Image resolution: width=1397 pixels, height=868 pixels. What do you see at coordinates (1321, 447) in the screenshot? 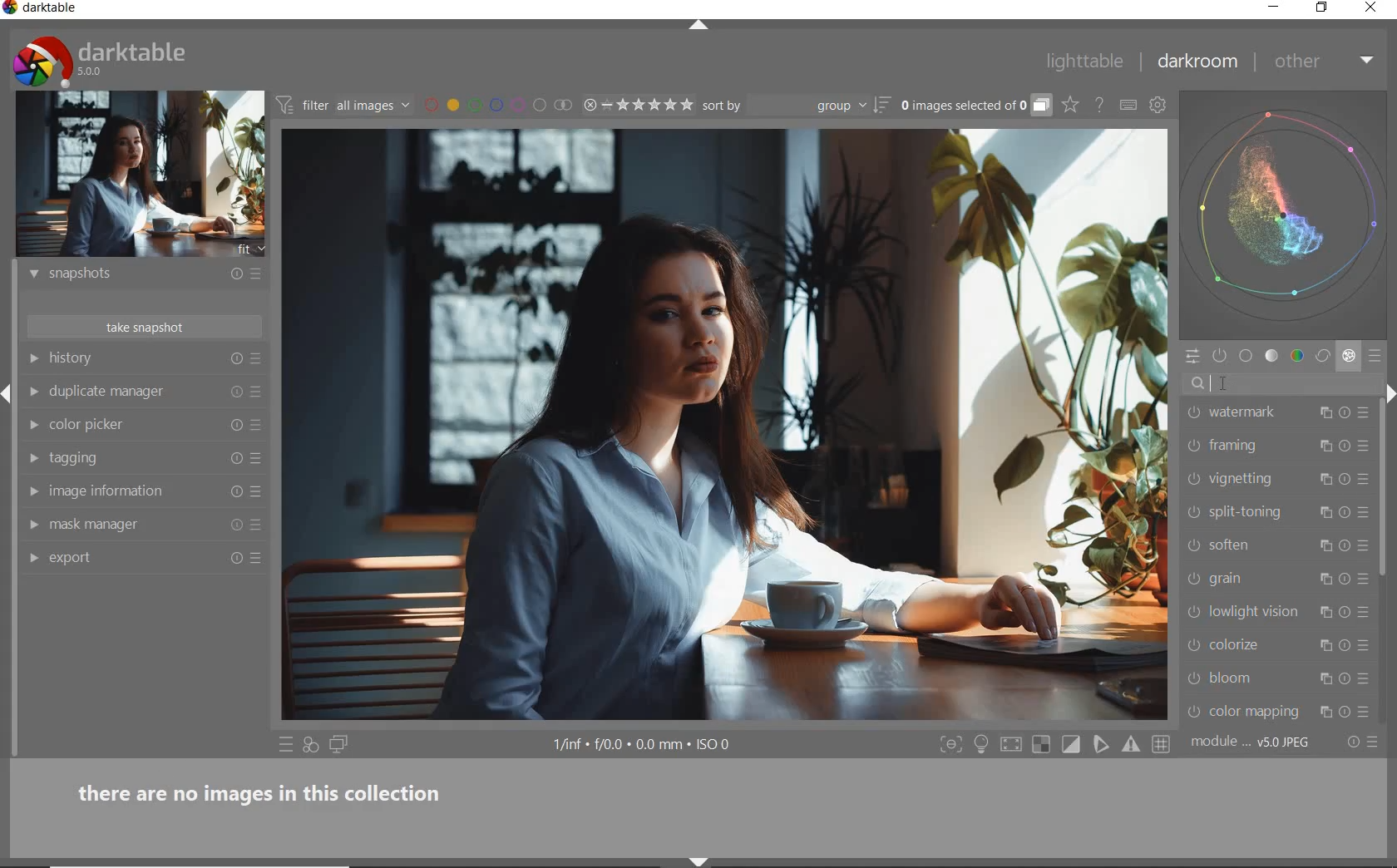
I see `multiple instance actions` at bounding box center [1321, 447].